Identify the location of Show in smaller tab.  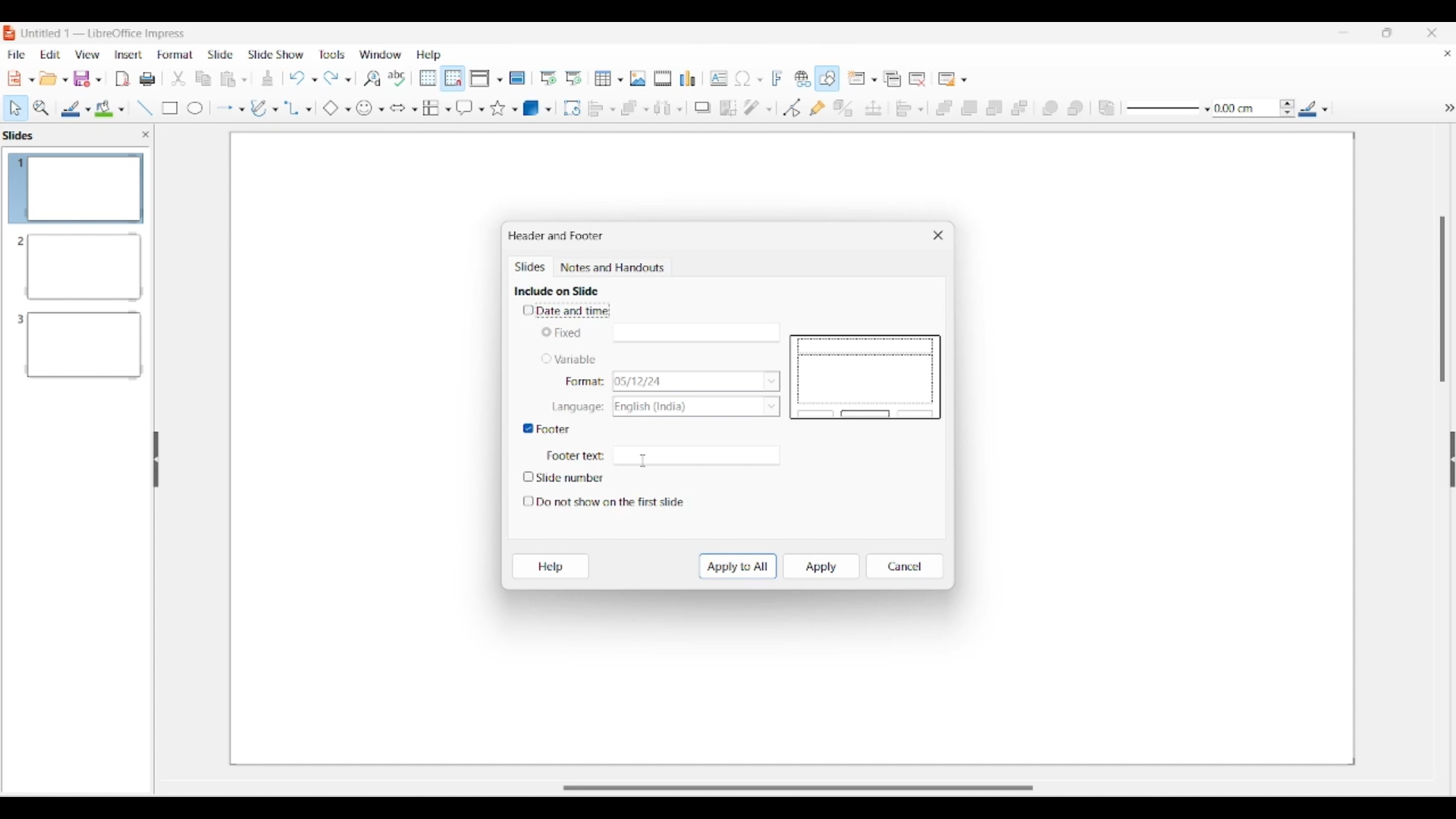
(1387, 33).